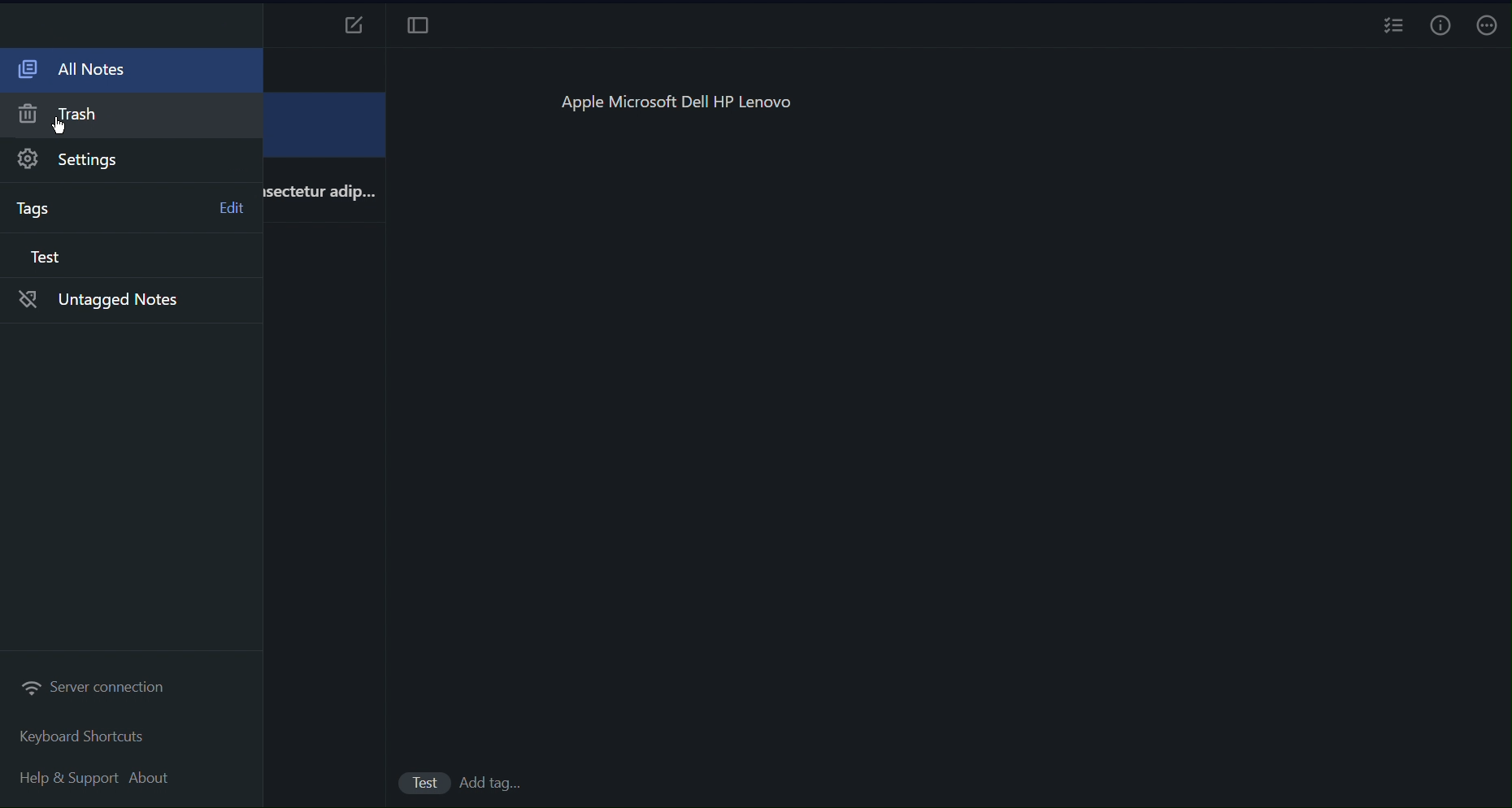 Image resolution: width=1512 pixels, height=808 pixels. I want to click on Checklist, so click(1393, 24).